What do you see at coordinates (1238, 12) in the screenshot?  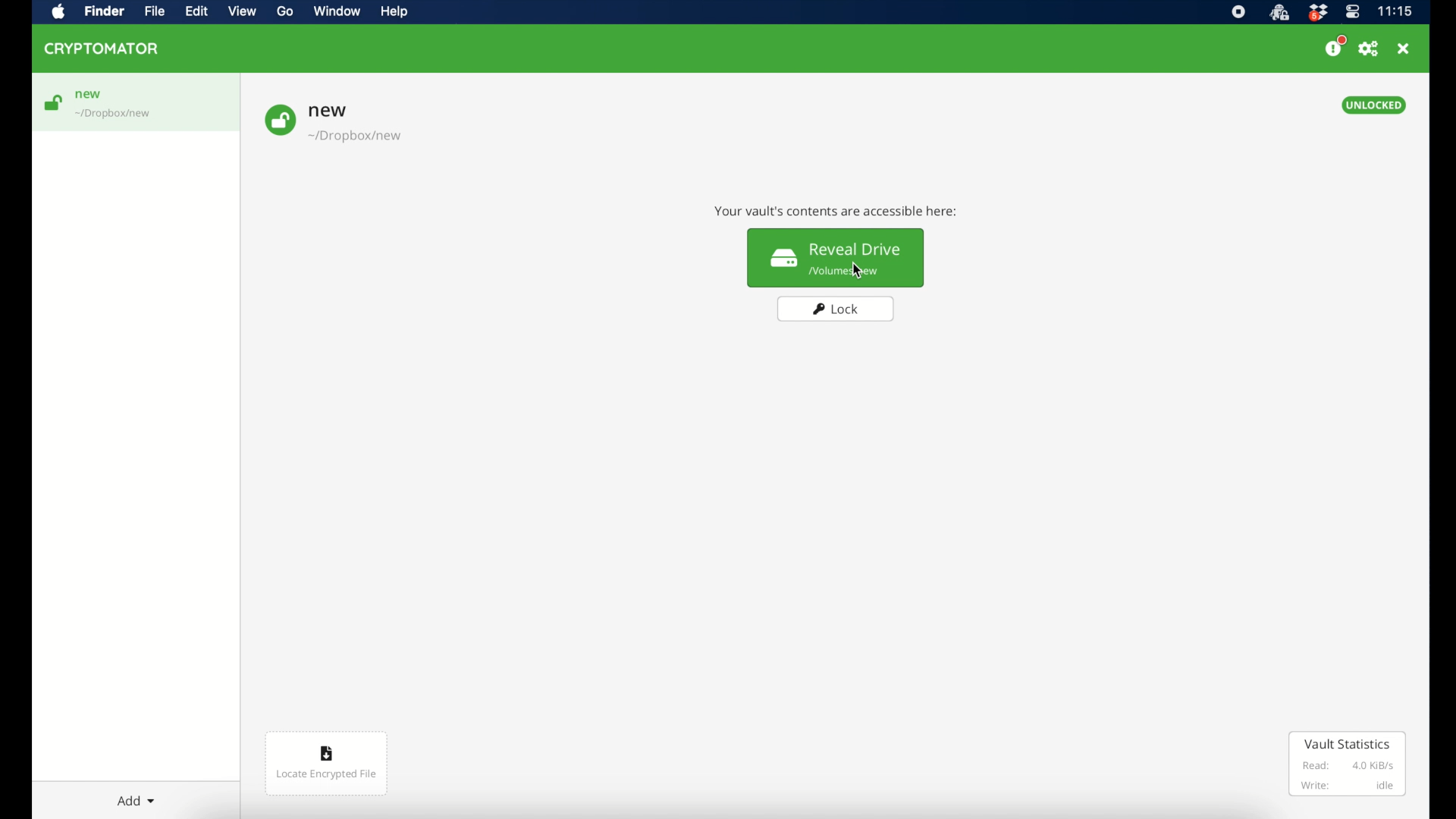 I see `screen recorder music` at bounding box center [1238, 12].